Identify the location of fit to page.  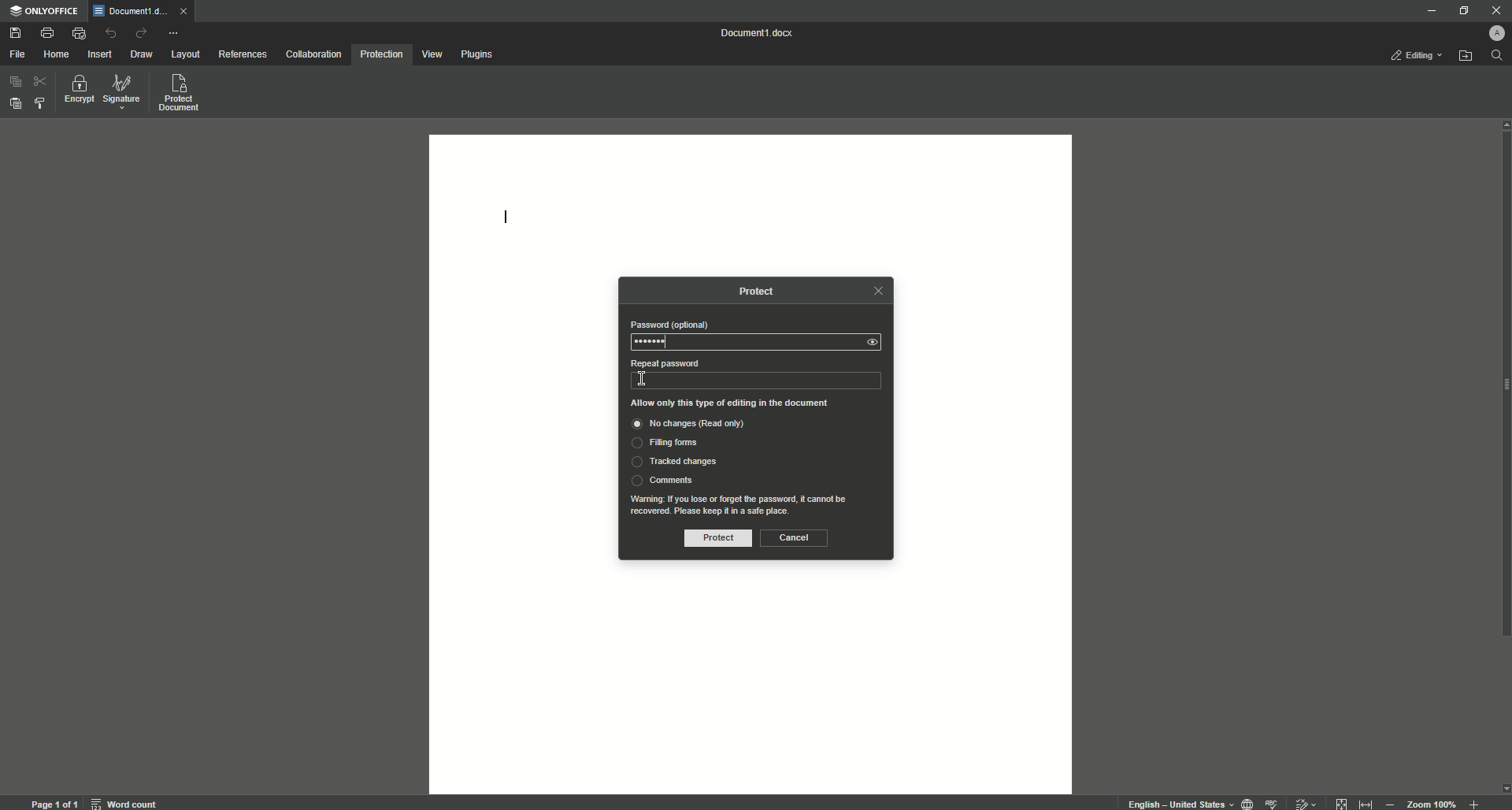
(1342, 801).